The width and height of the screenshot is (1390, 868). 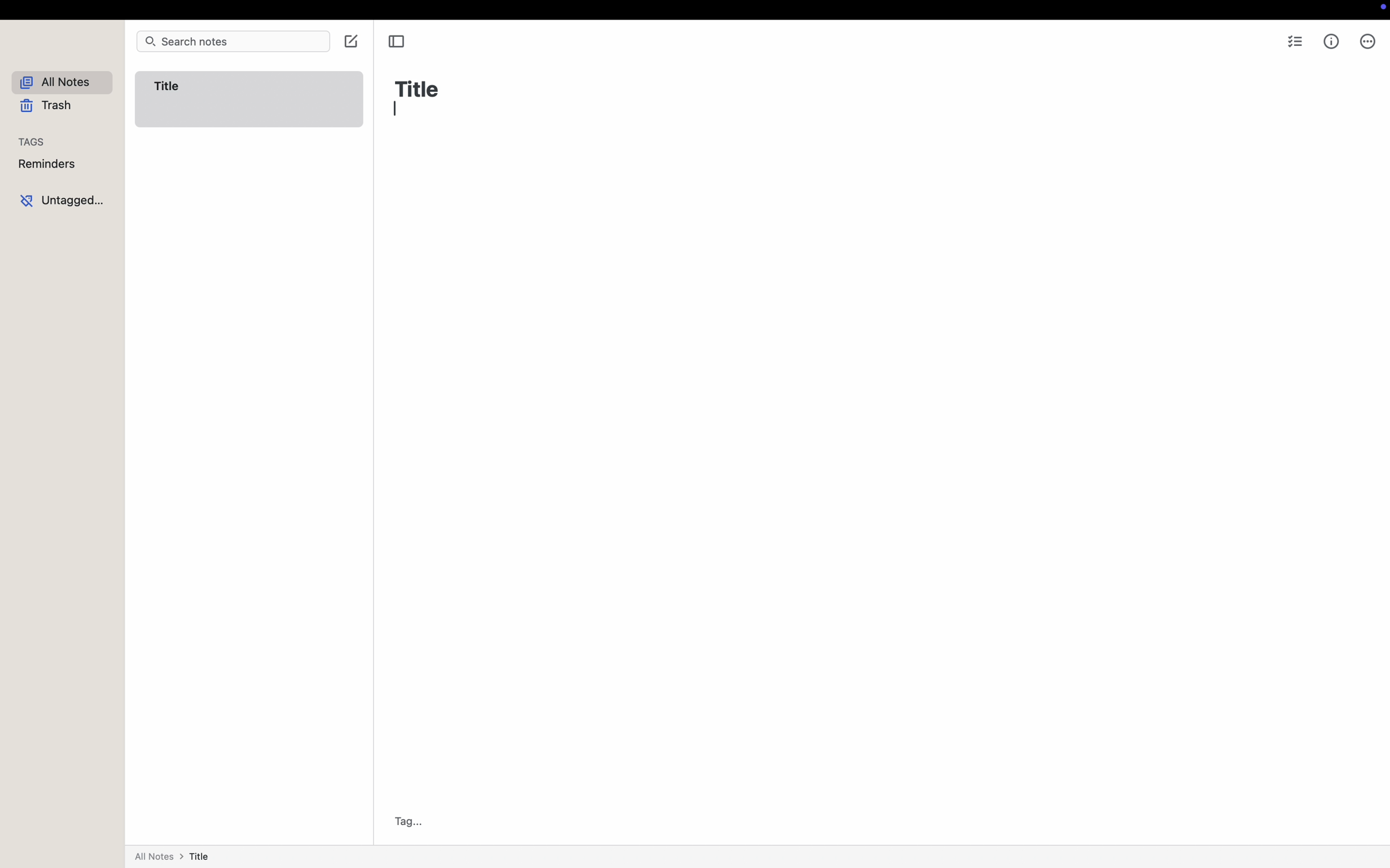 What do you see at coordinates (61, 165) in the screenshot?
I see `reminders` at bounding box center [61, 165].